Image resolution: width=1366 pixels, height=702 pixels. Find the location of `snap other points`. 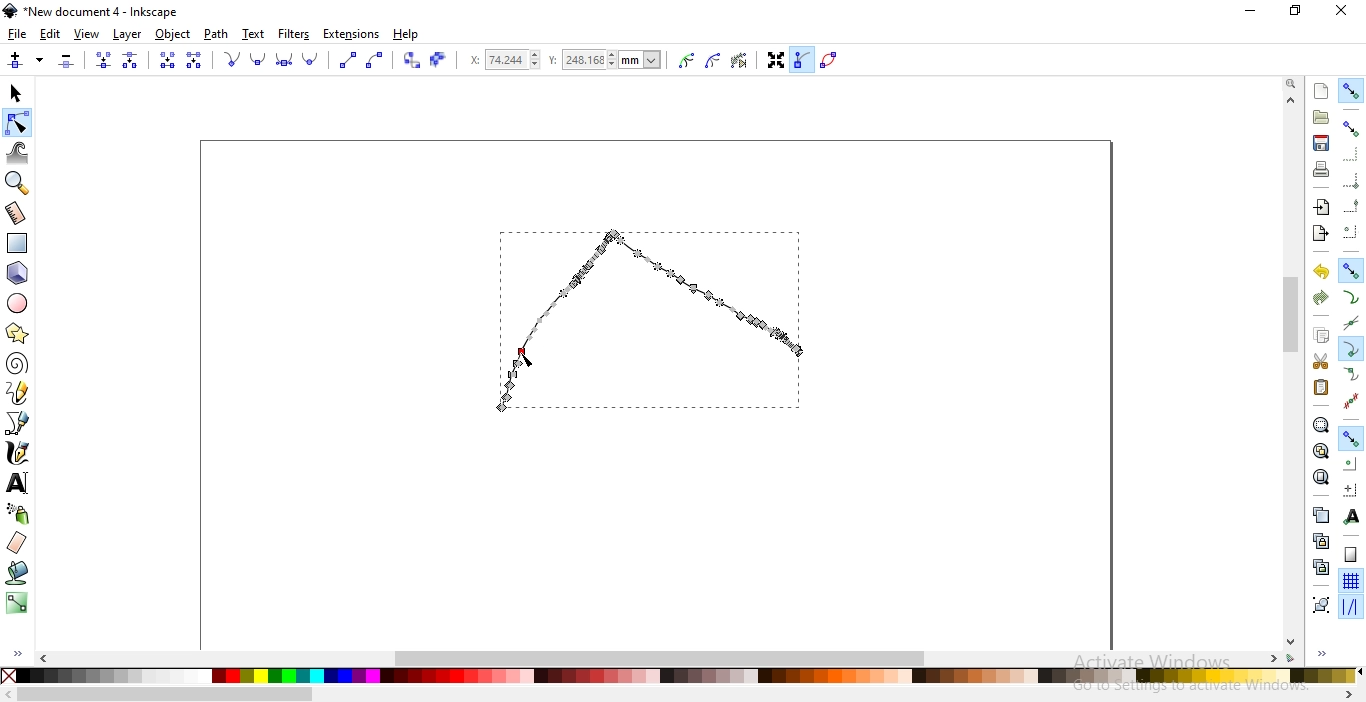

snap other points is located at coordinates (1351, 437).